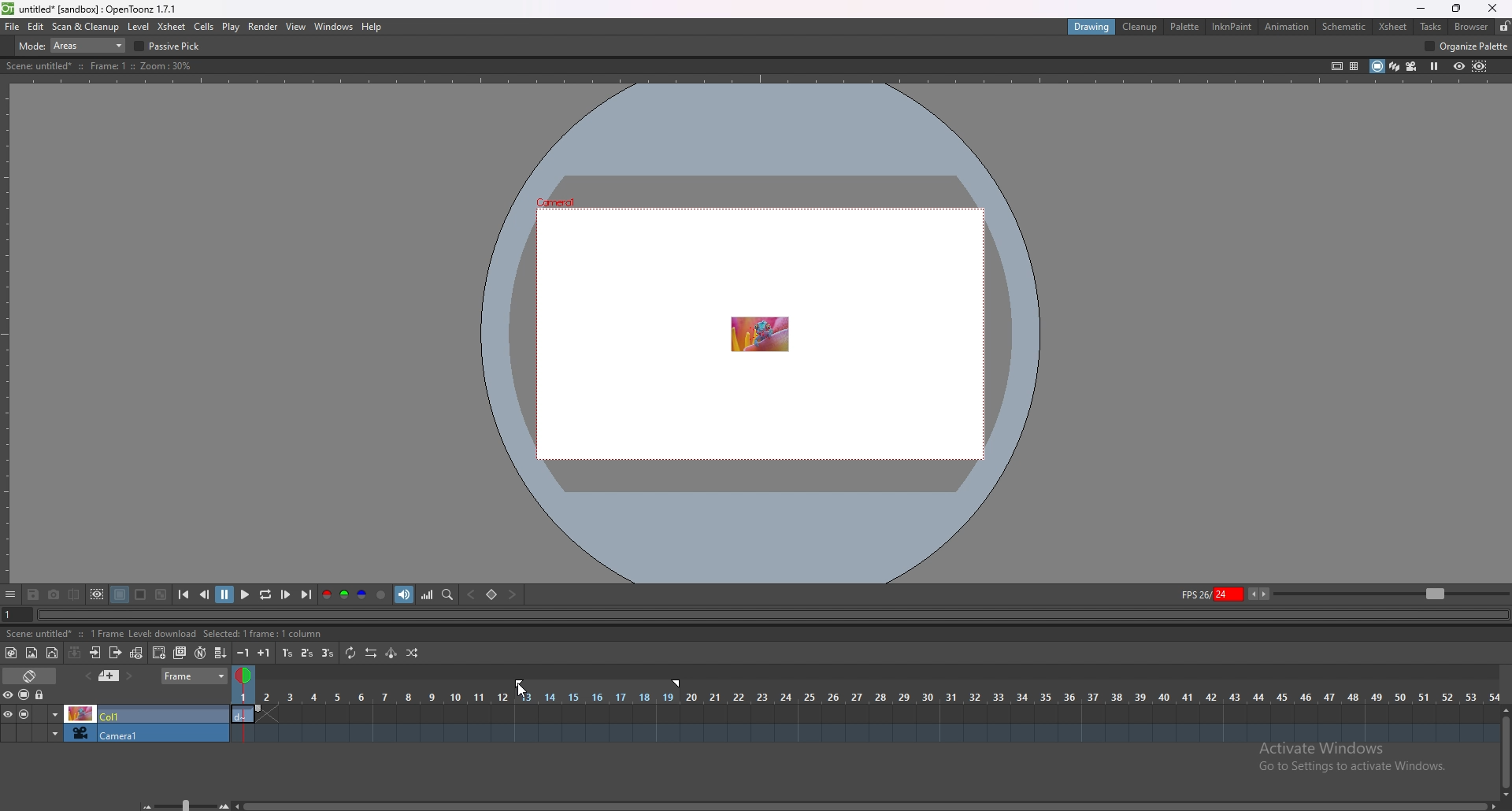 The image size is (1512, 811). What do you see at coordinates (109, 676) in the screenshot?
I see `previous memo` at bounding box center [109, 676].